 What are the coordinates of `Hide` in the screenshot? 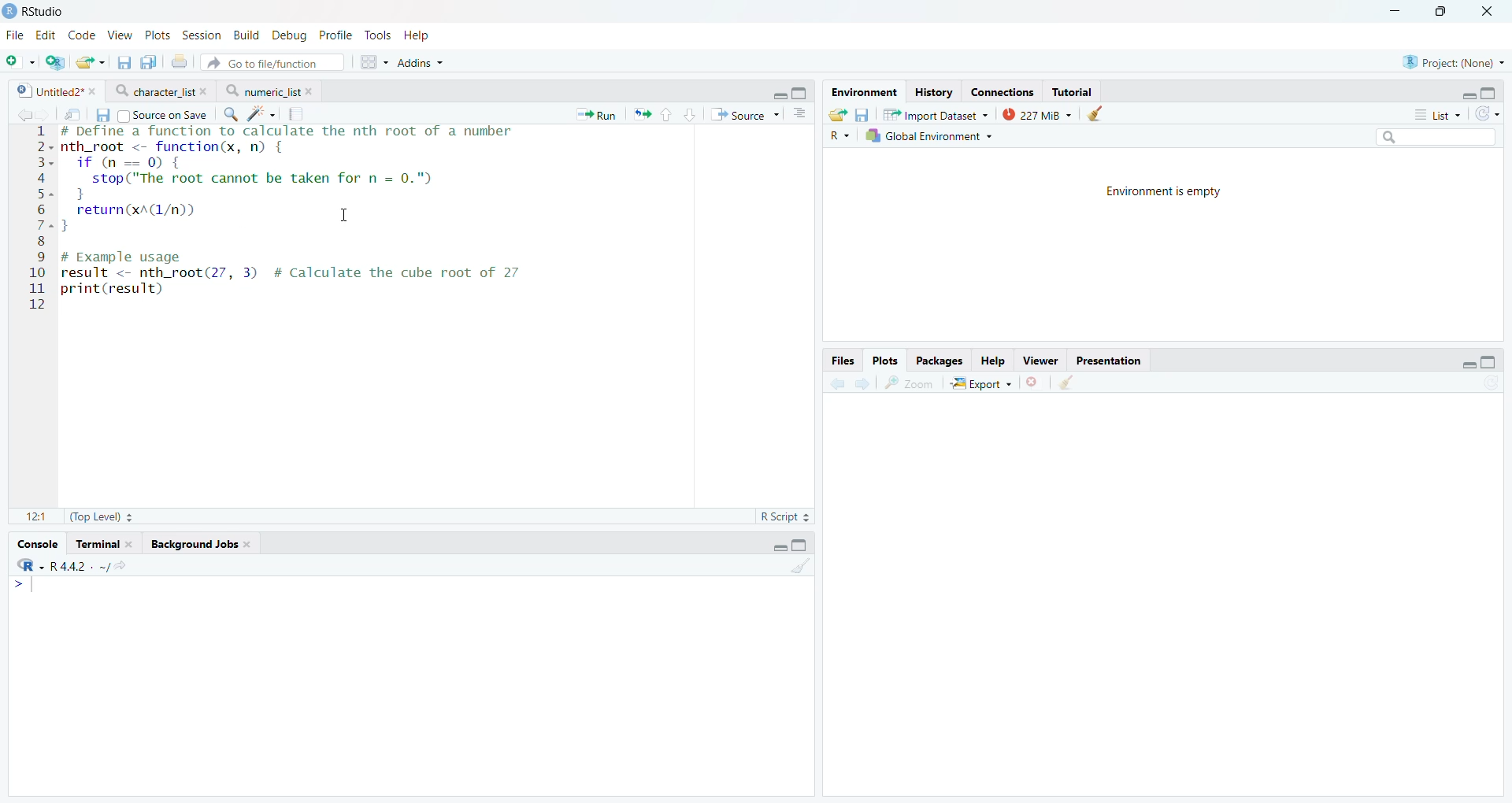 It's located at (1469, 362).